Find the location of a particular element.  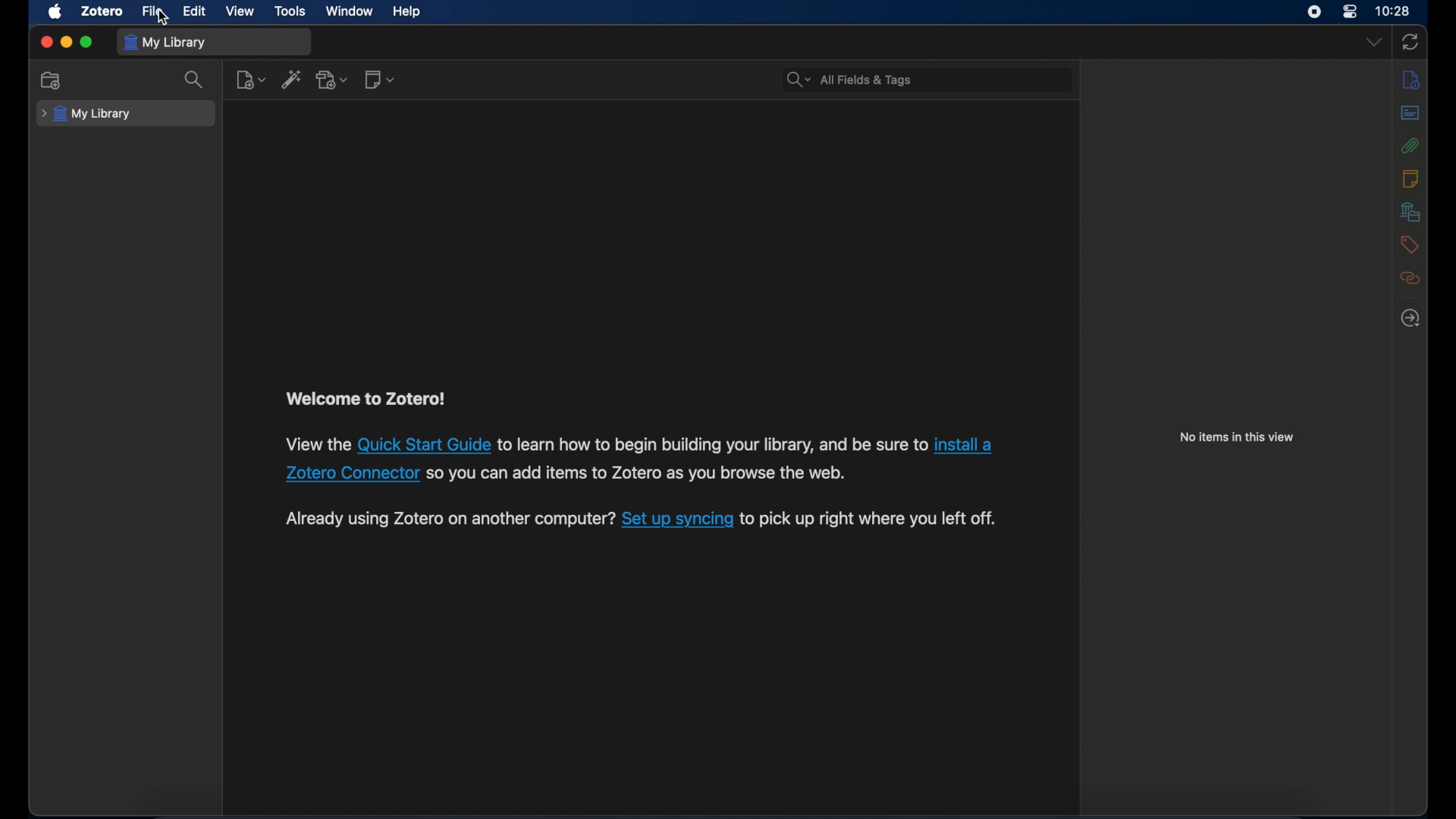

new notes is located at coordinates (381, 79).